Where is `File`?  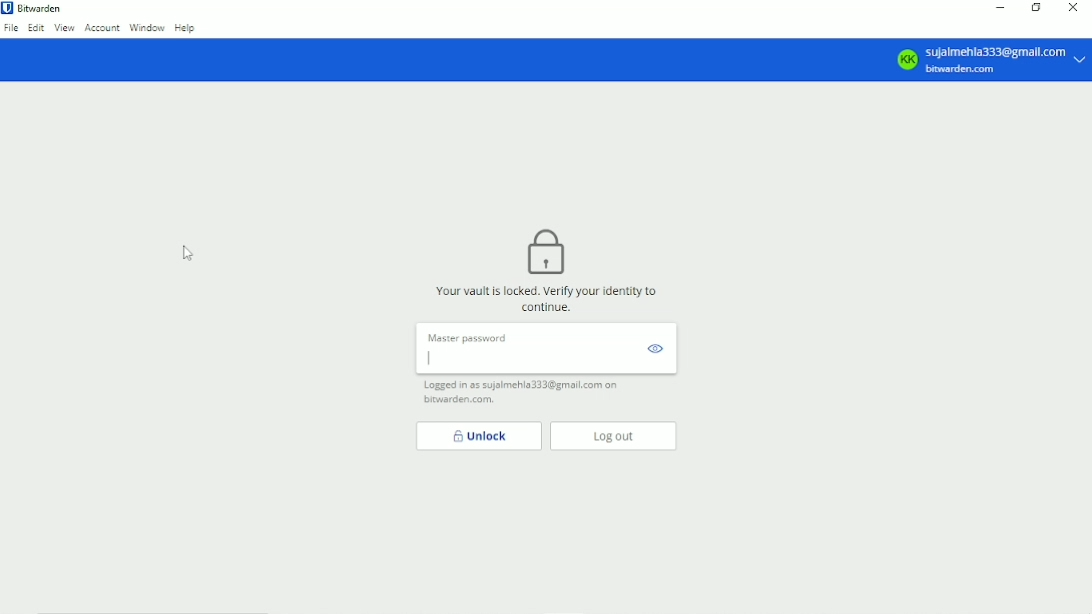 File is located at coordinates (10, 30).